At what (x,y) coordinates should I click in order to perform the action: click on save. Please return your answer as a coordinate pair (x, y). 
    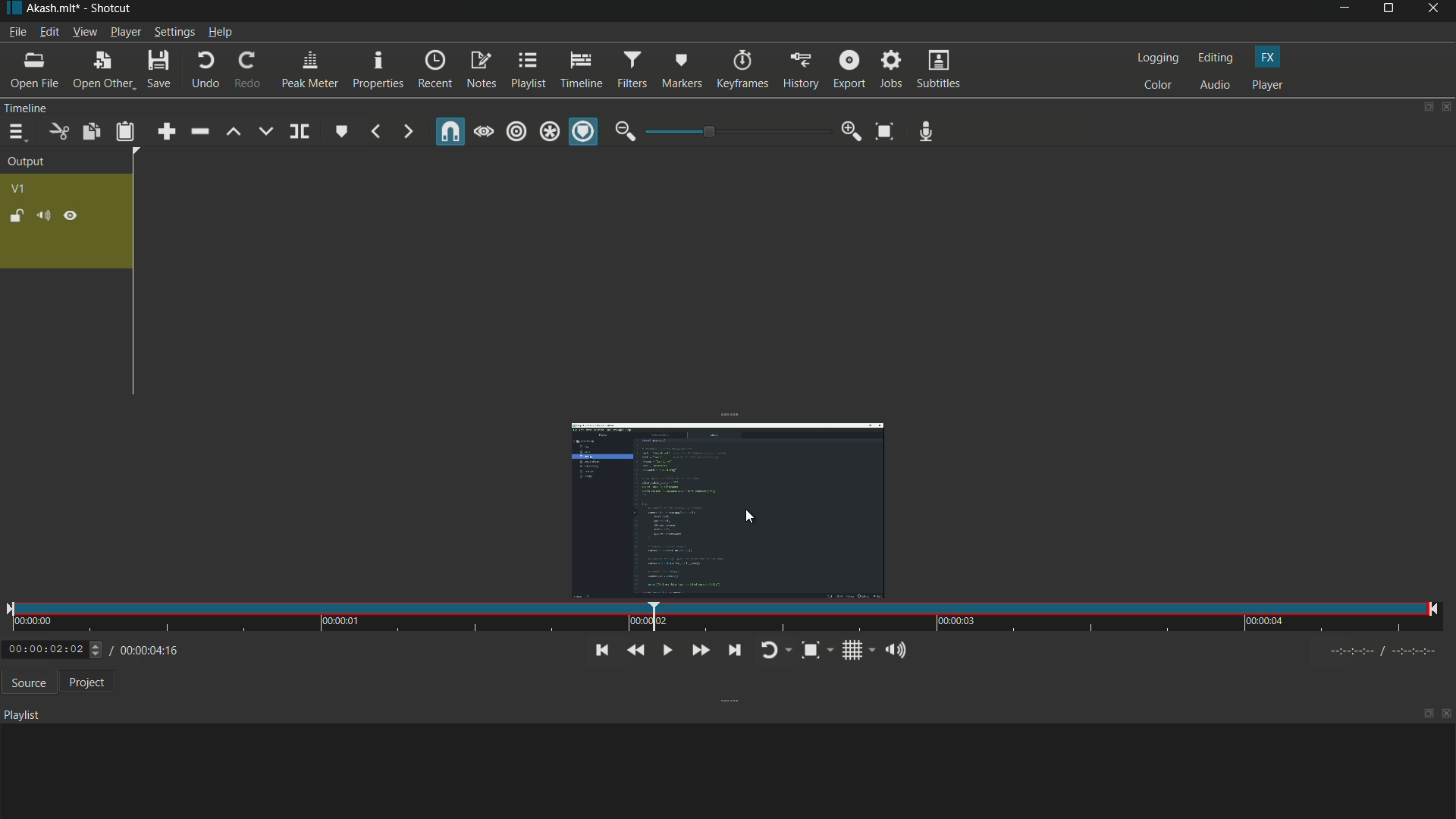
    Looking at the image, I should click on (158, 70).